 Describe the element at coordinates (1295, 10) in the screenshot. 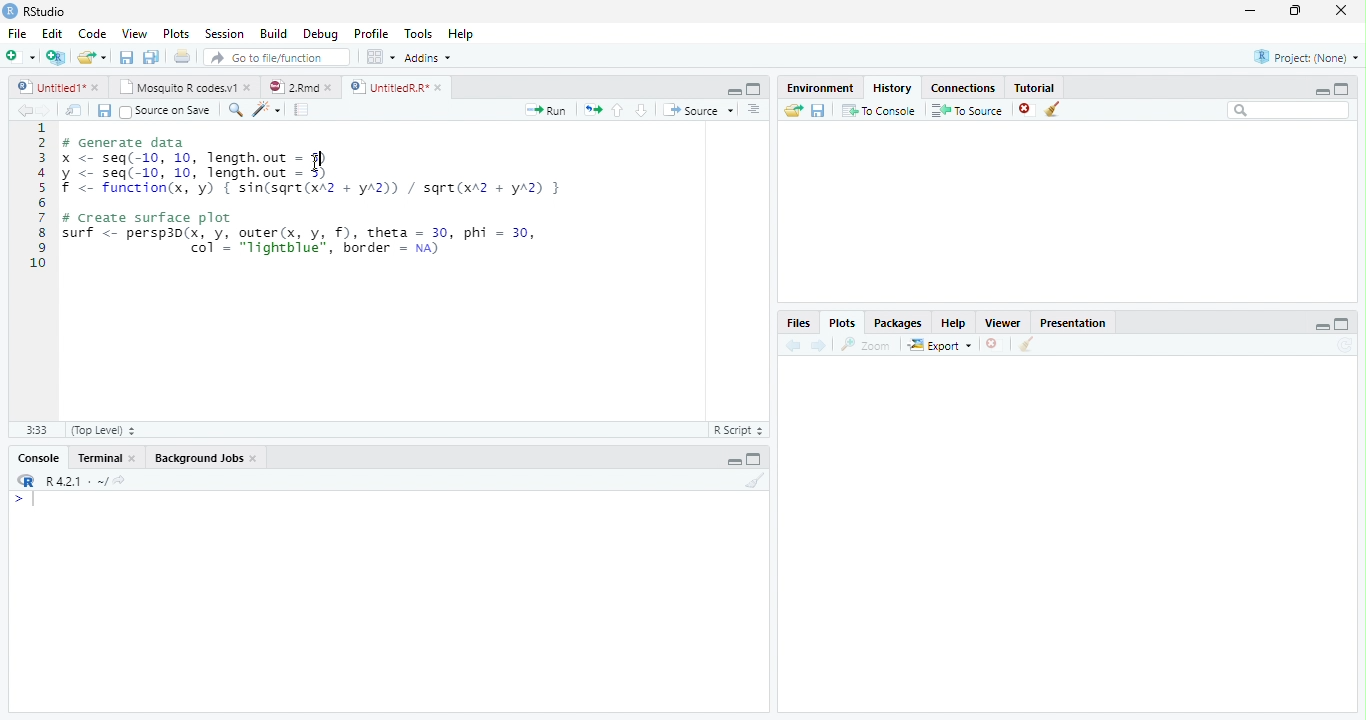

I see `restore` at that location.